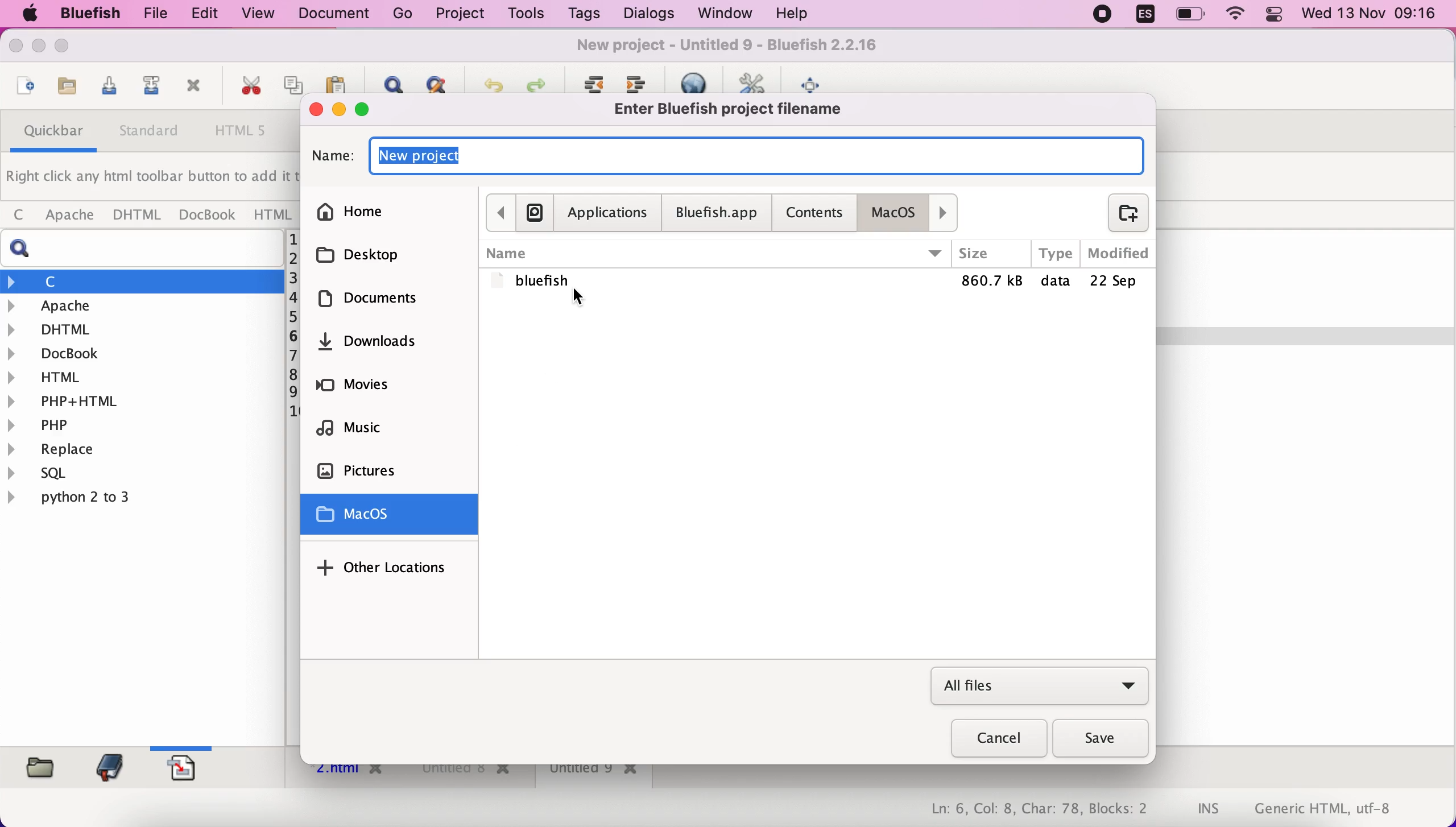 The width and height of the screenshot is (1456, 827). I want to click on dhtml, so click(138, 216).